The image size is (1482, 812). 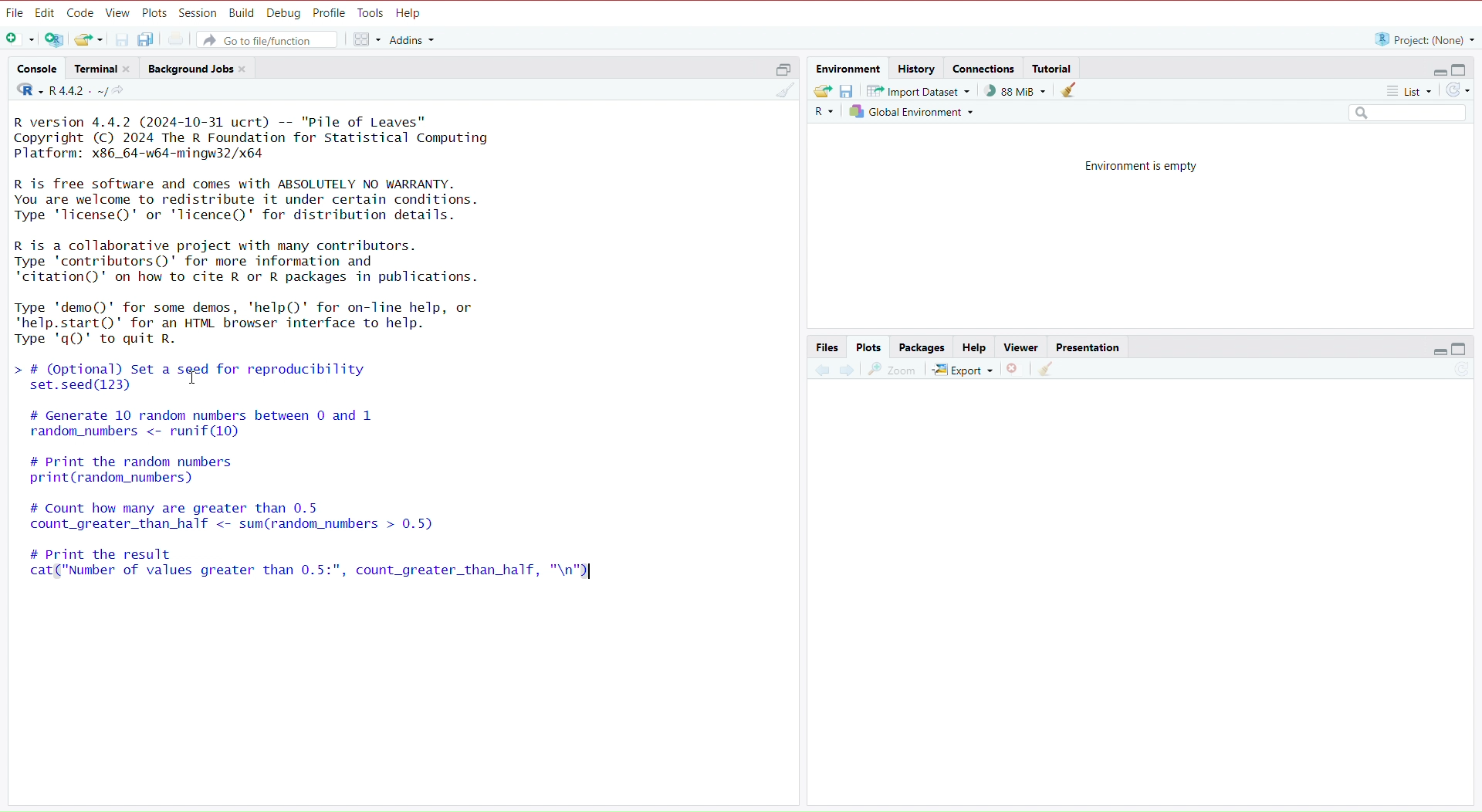 I want to click on Tutorial, so click(x=1054, y=67).